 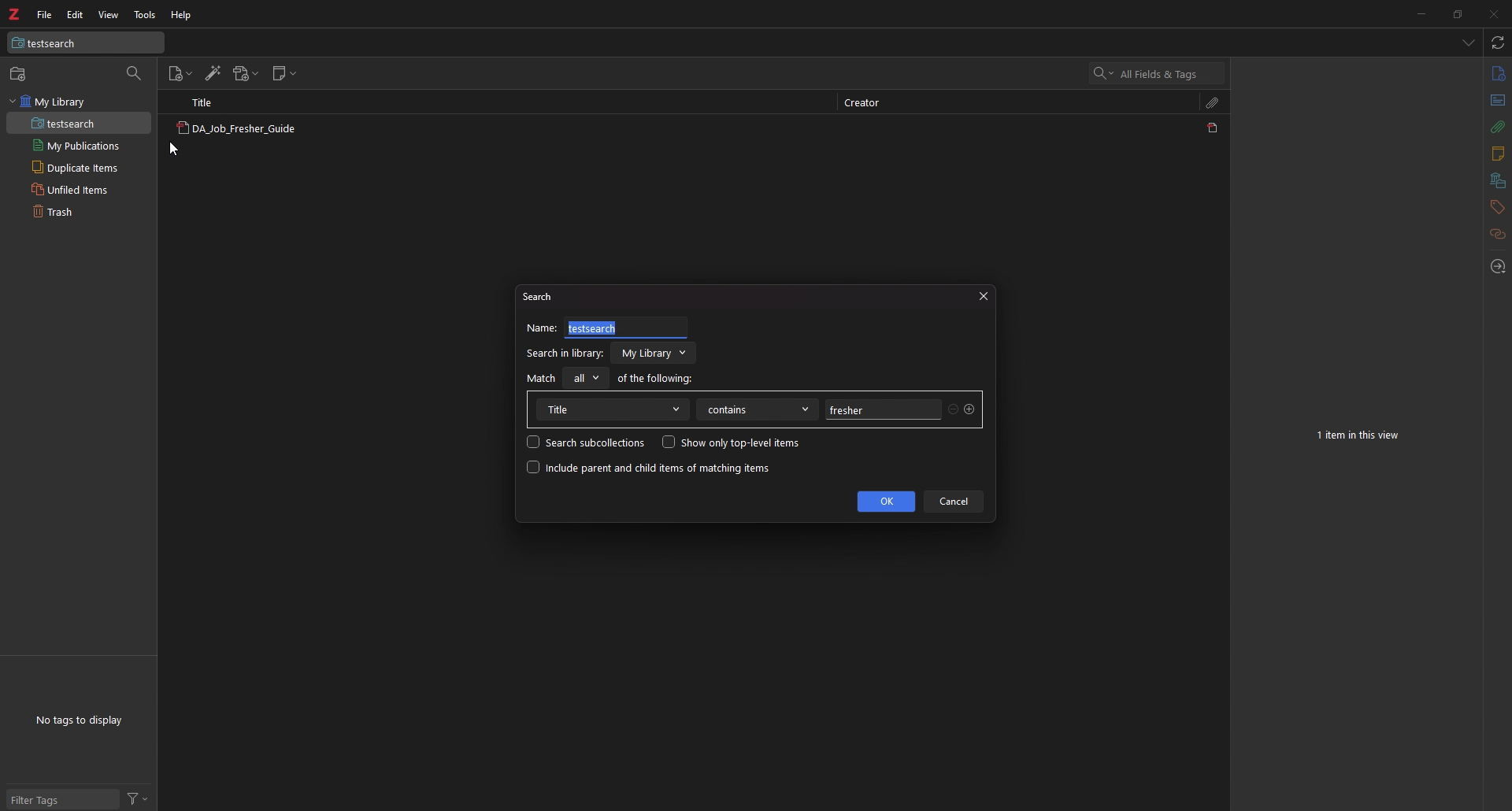 I want to click on attachment, so click(x=1499, y=127).